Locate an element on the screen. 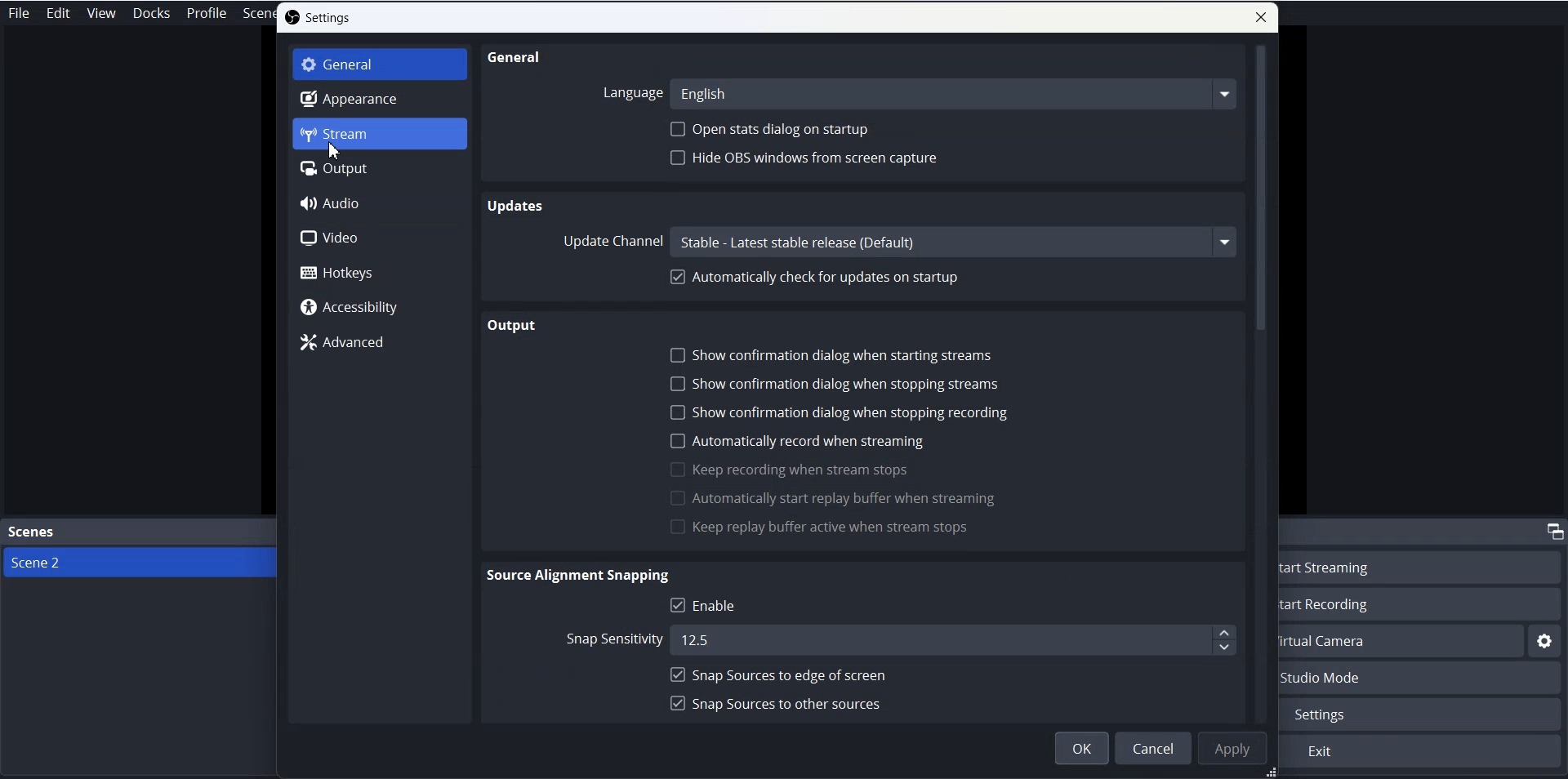 This screenshot has width=1568, height=779. Apply is located at coordinates (1231, 748).